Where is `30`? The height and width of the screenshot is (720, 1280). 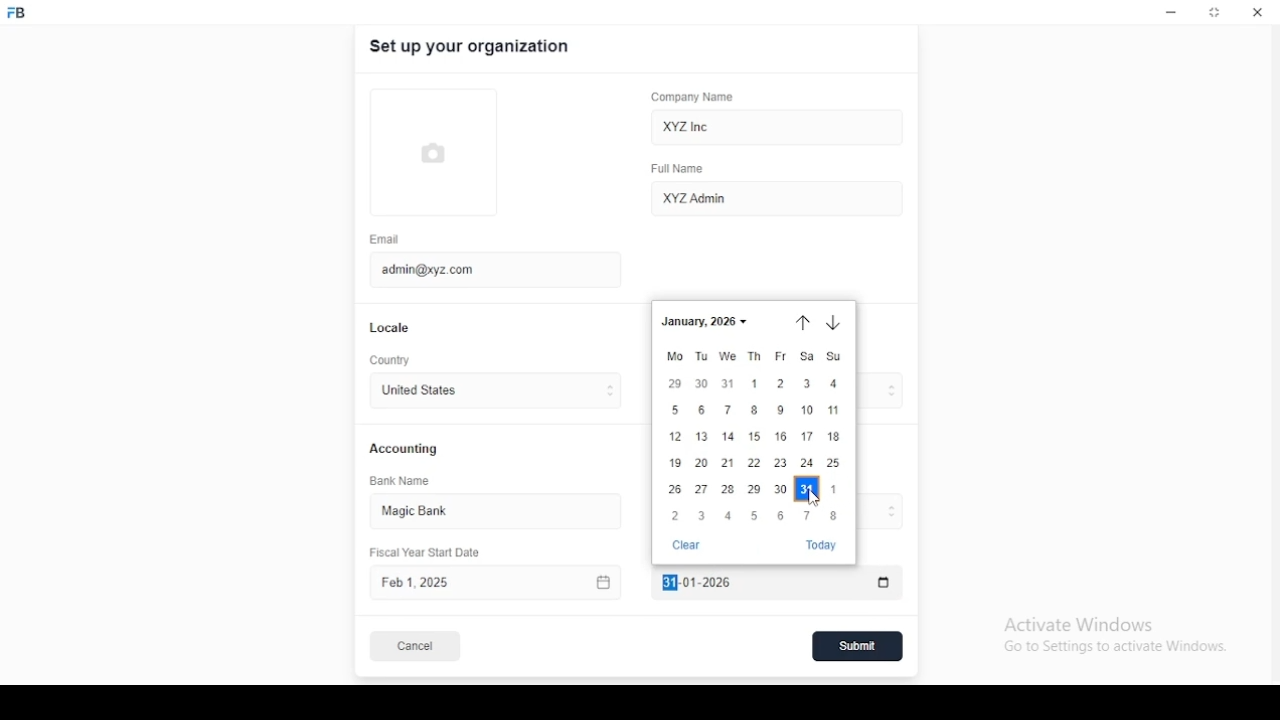
30 is located at coordinates (703, 384).